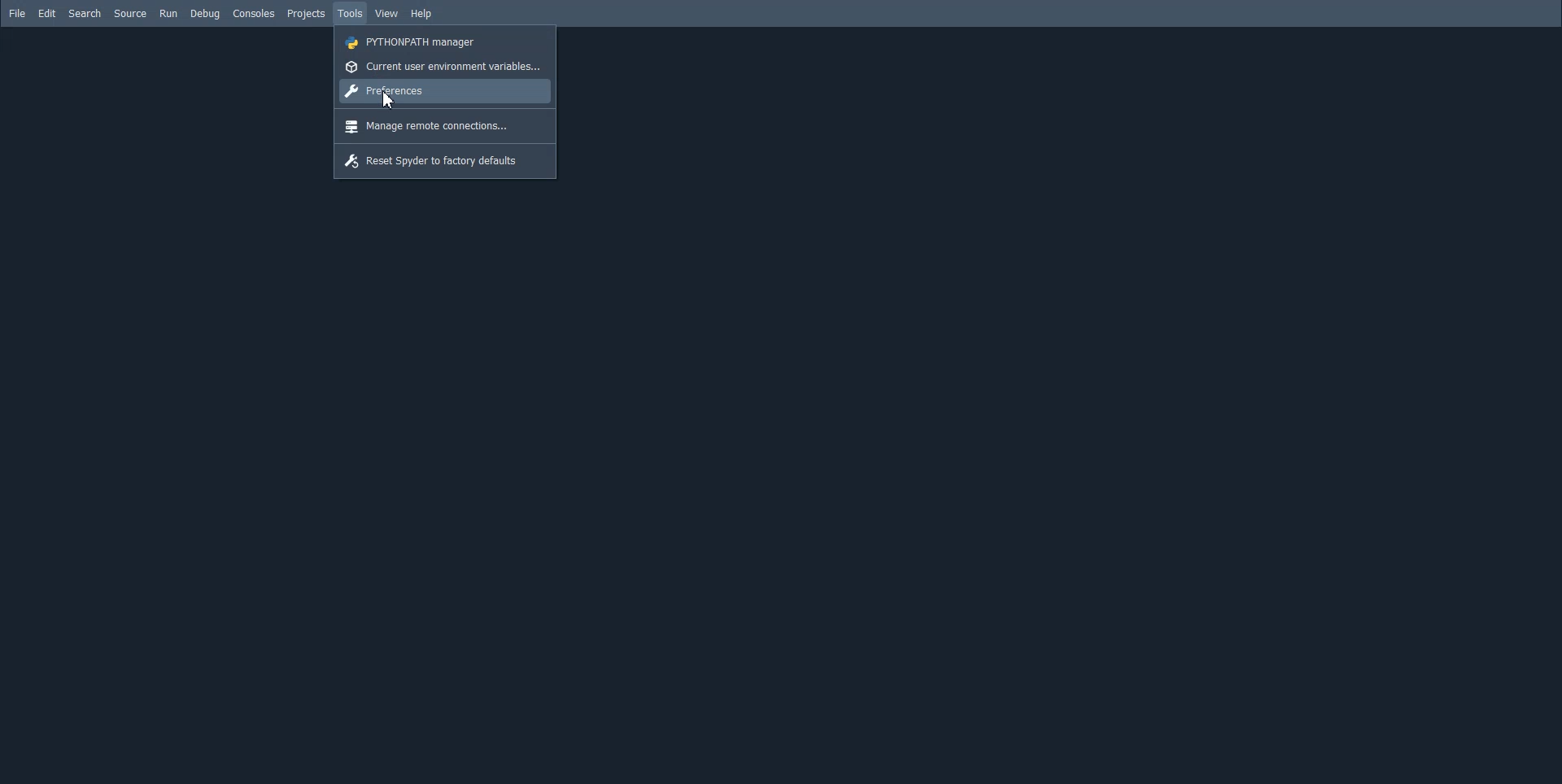  I want to click on View, so click(388, 14).